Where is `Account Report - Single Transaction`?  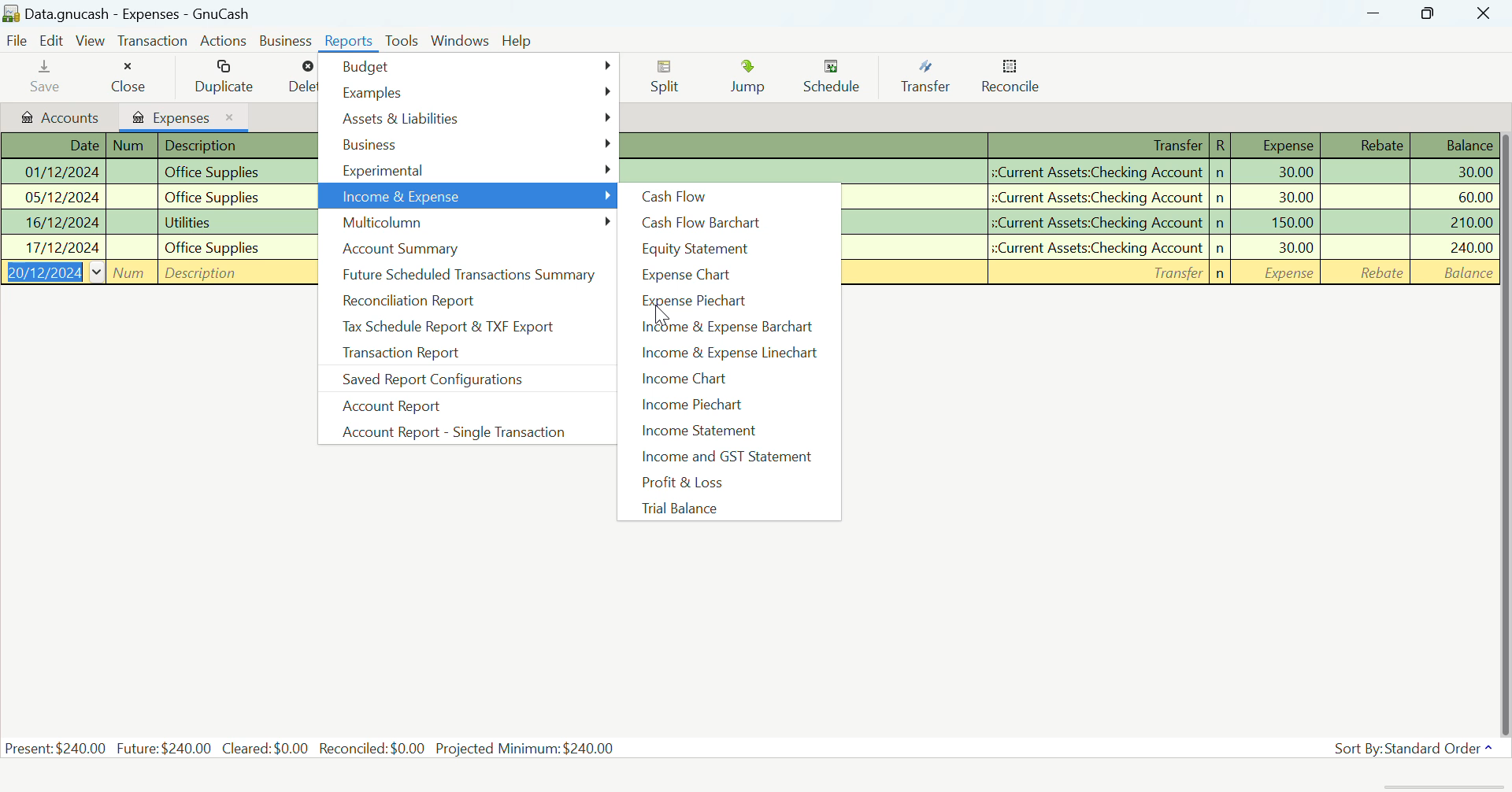 Account Report - Single Transaction is located at coordinates (450, 430).